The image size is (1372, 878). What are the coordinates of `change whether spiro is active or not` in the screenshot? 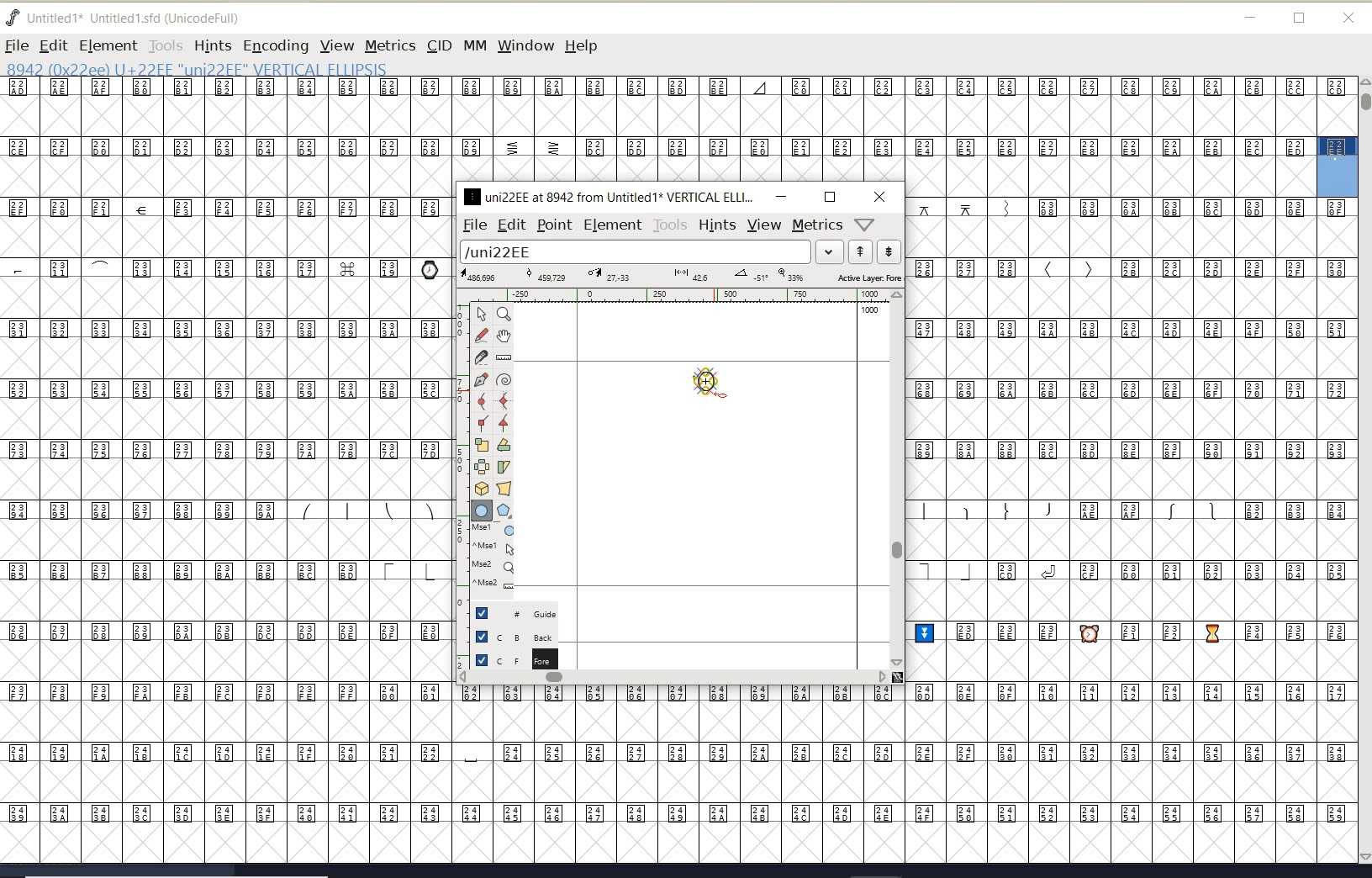 It's located at (504, 382).